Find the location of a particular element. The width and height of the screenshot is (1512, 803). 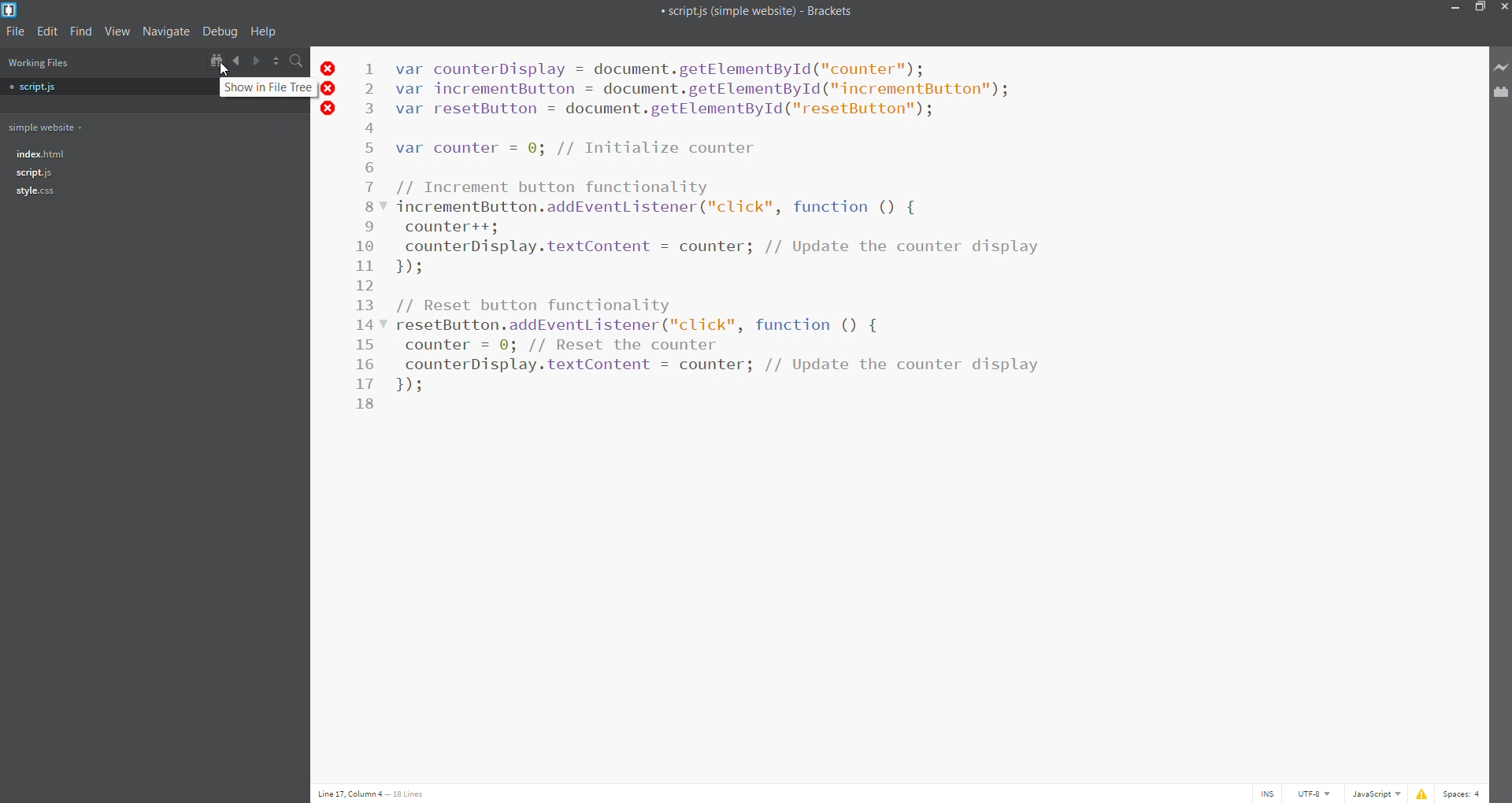

script.js(single website) brackets is located at coordinates (723, 10).